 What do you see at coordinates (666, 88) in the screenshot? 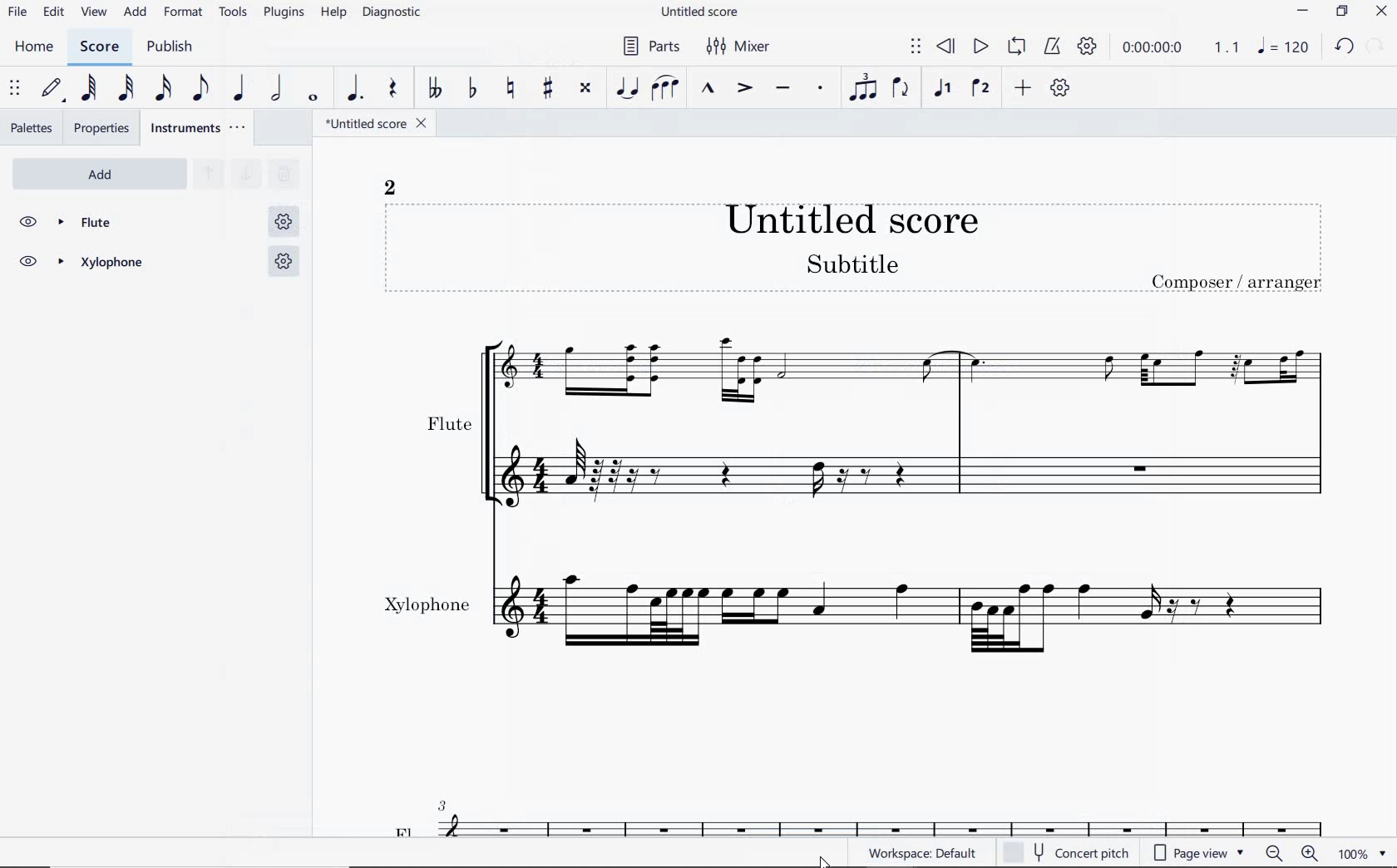
I see `SLUR` at bounding box center [666, 88].